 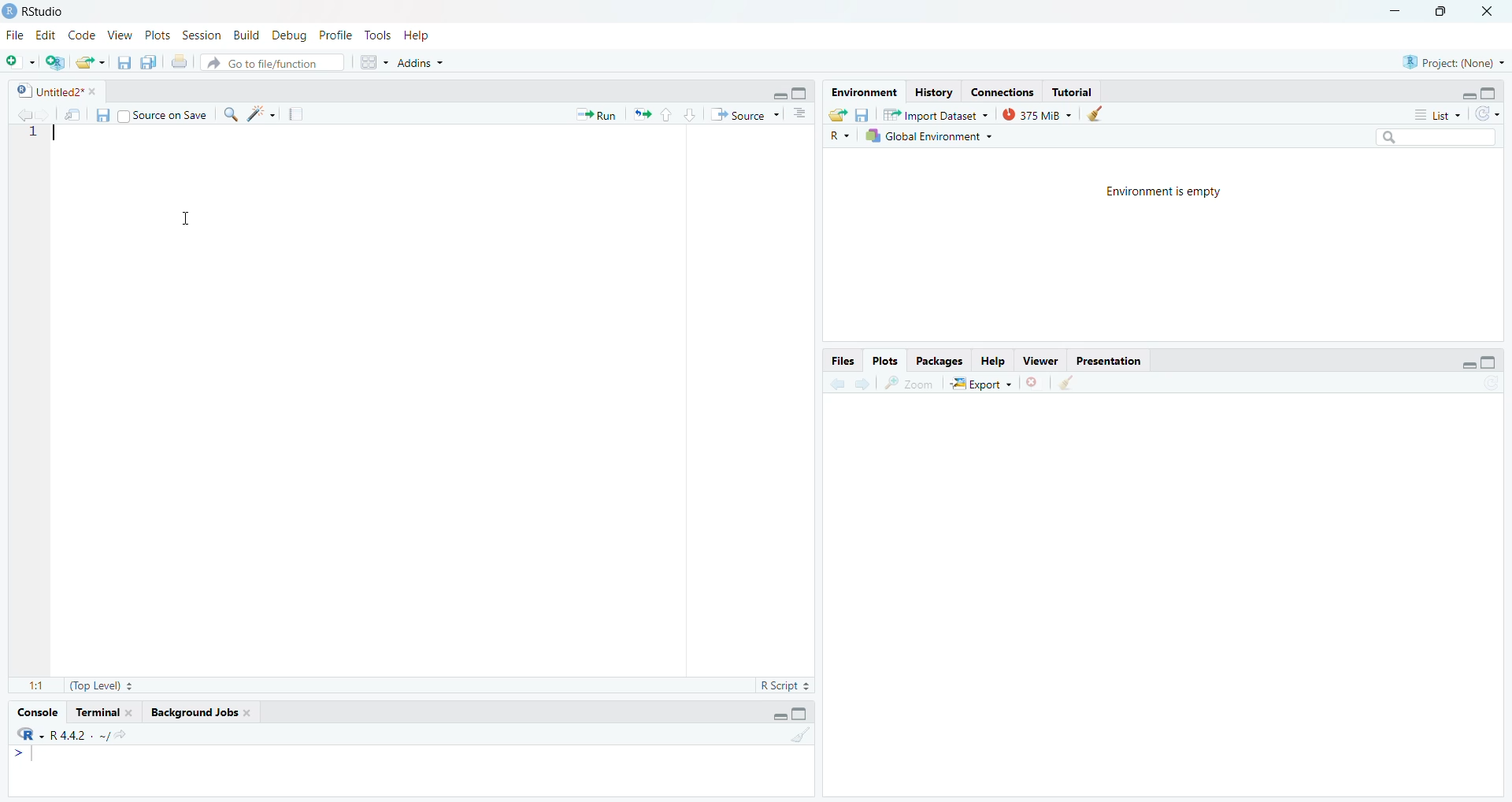 I want to click on Environment, so click(x=858, y=92).